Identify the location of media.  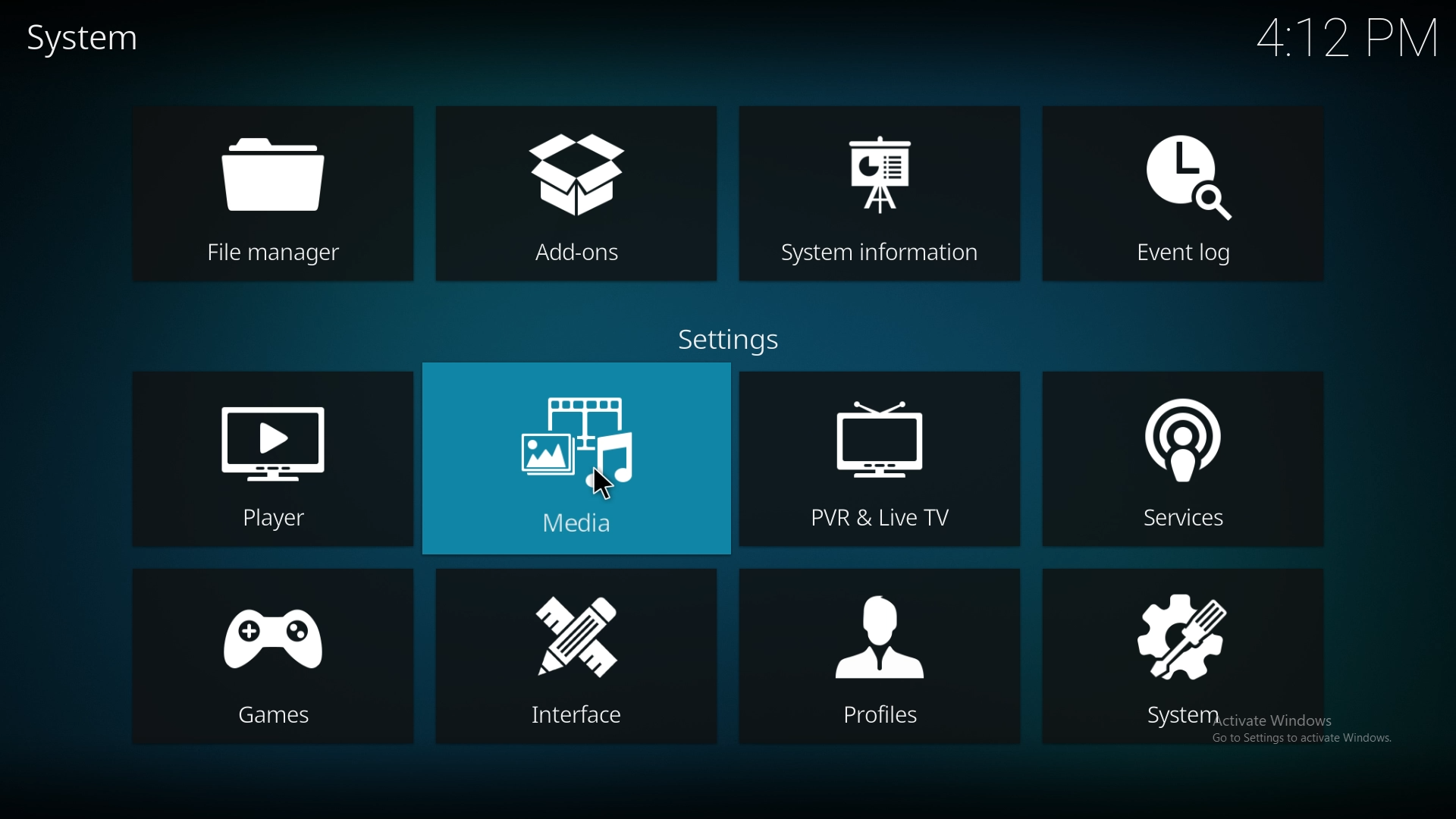
(576, 460).